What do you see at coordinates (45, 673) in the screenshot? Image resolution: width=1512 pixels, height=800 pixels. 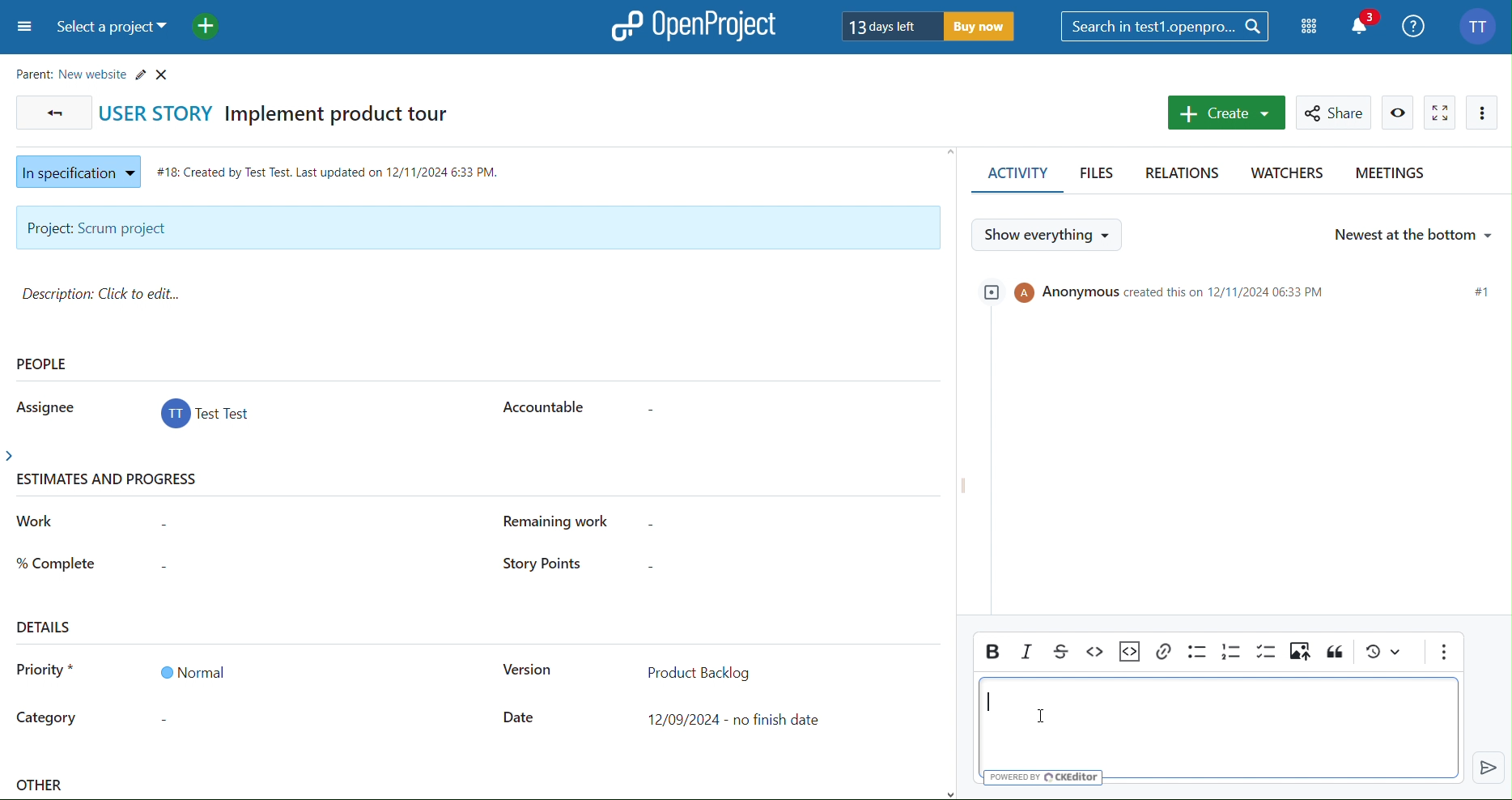 I see `Priority` at bounding box center [45, 673].